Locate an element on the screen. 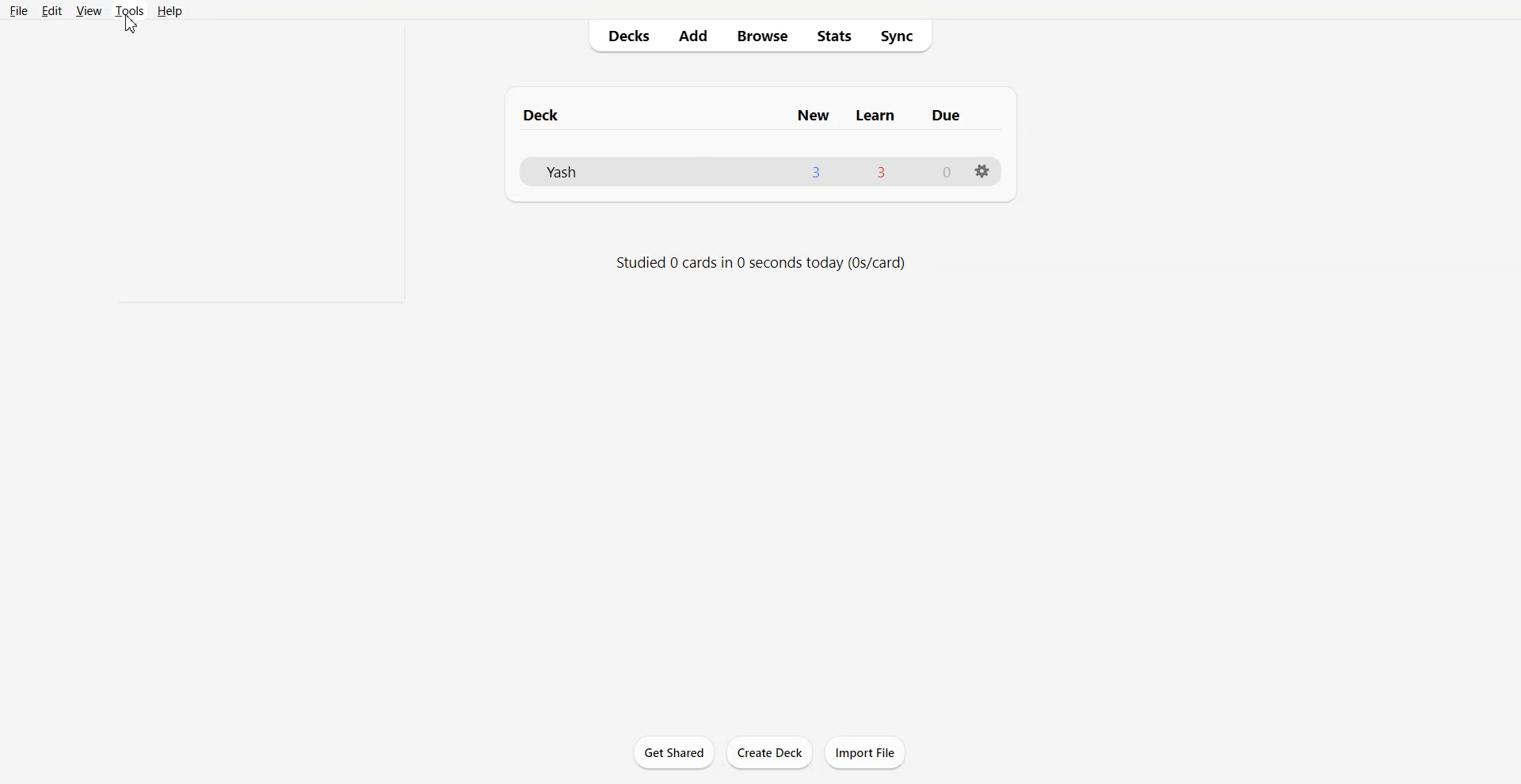 The height and width of the screenshot is (784, 1521). Create Deck is located at coordinates (769, 752).